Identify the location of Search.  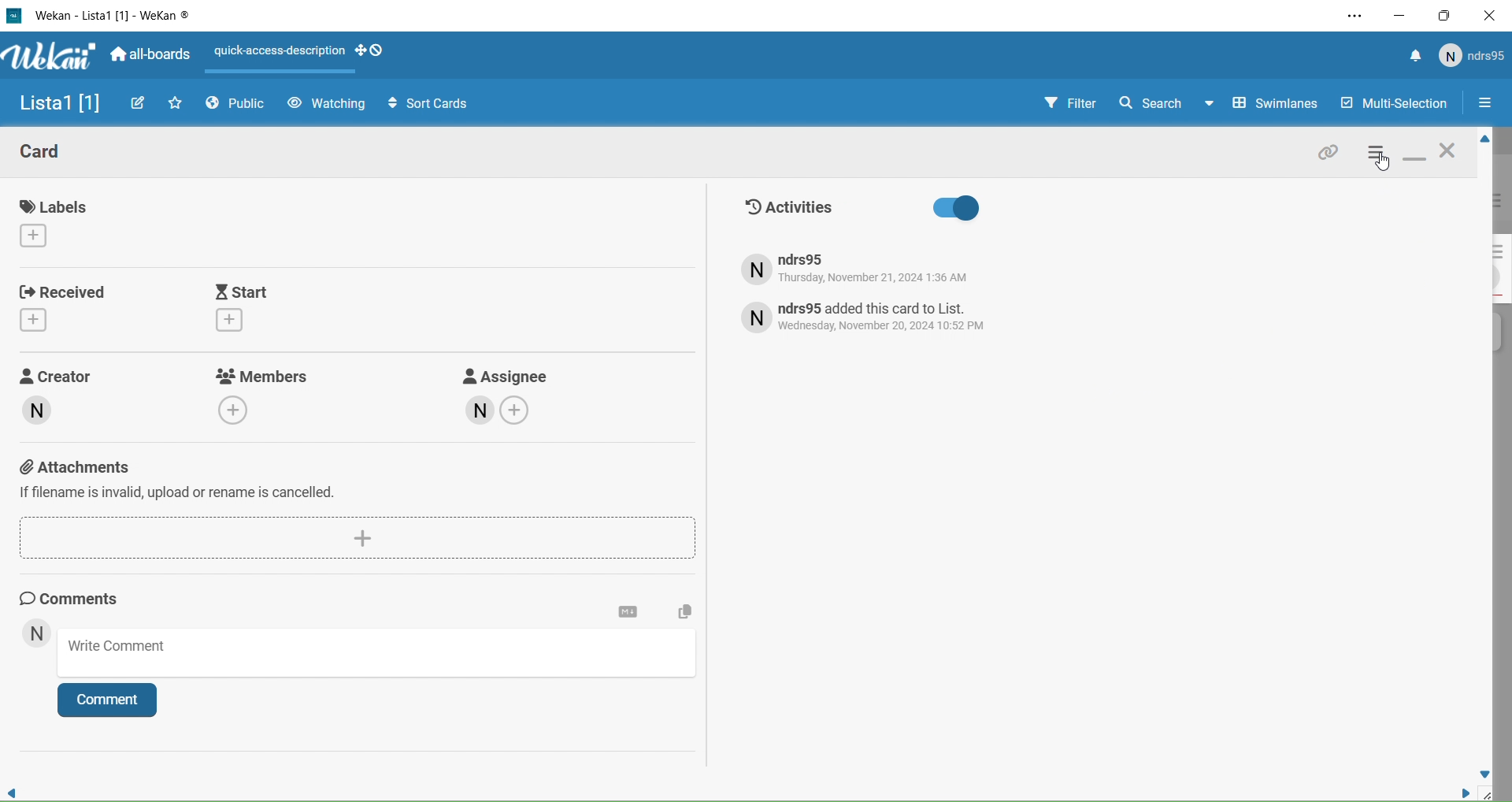
(1155, 104).